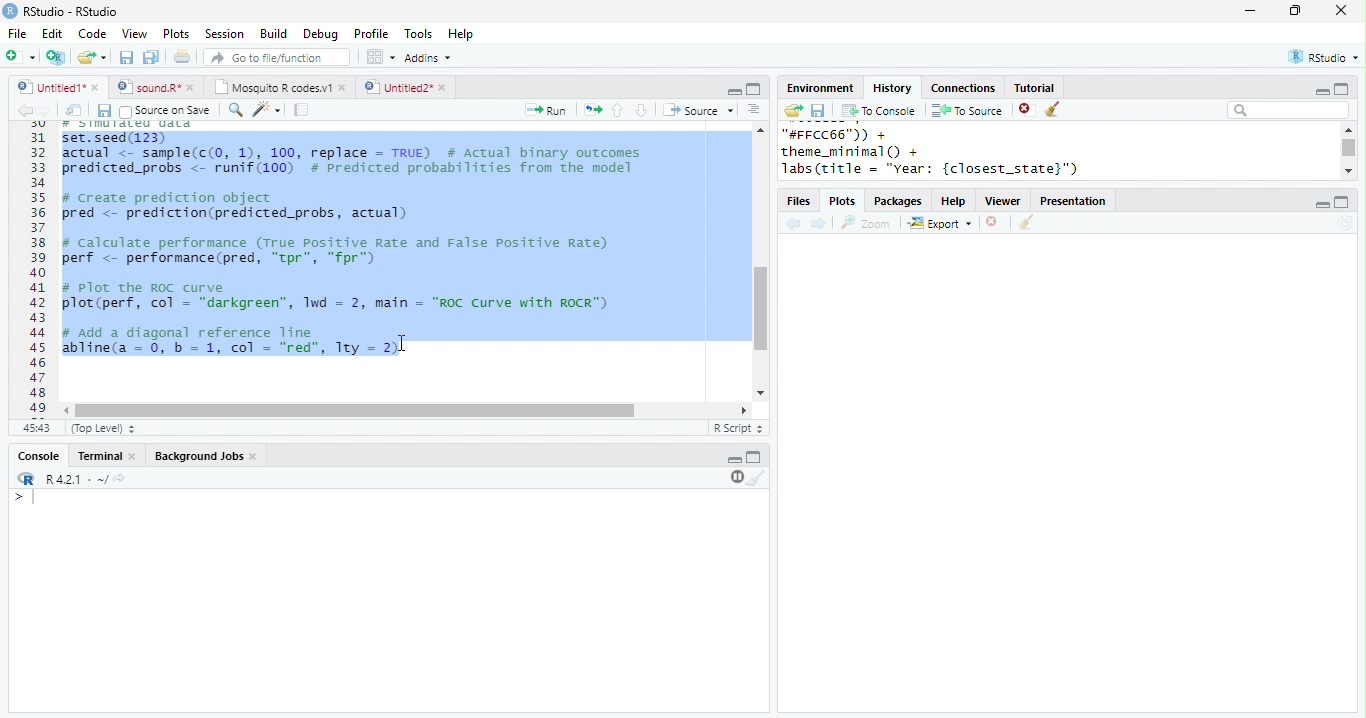 The width and height of the screenshot is (1366, 718). I want to click on Top Level, so click(105, 428).